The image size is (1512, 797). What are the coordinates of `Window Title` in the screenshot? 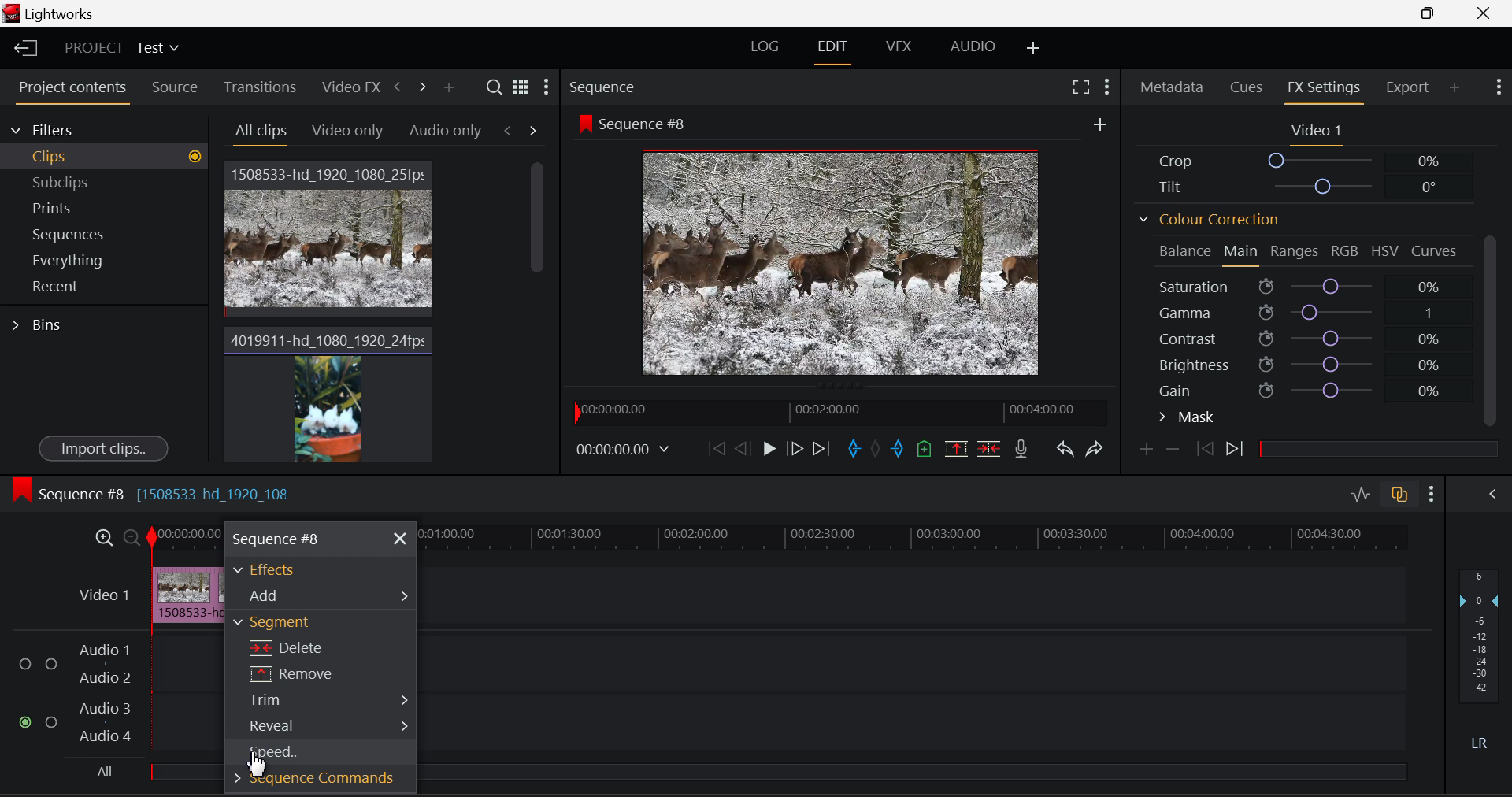 It's located at (53, 14).